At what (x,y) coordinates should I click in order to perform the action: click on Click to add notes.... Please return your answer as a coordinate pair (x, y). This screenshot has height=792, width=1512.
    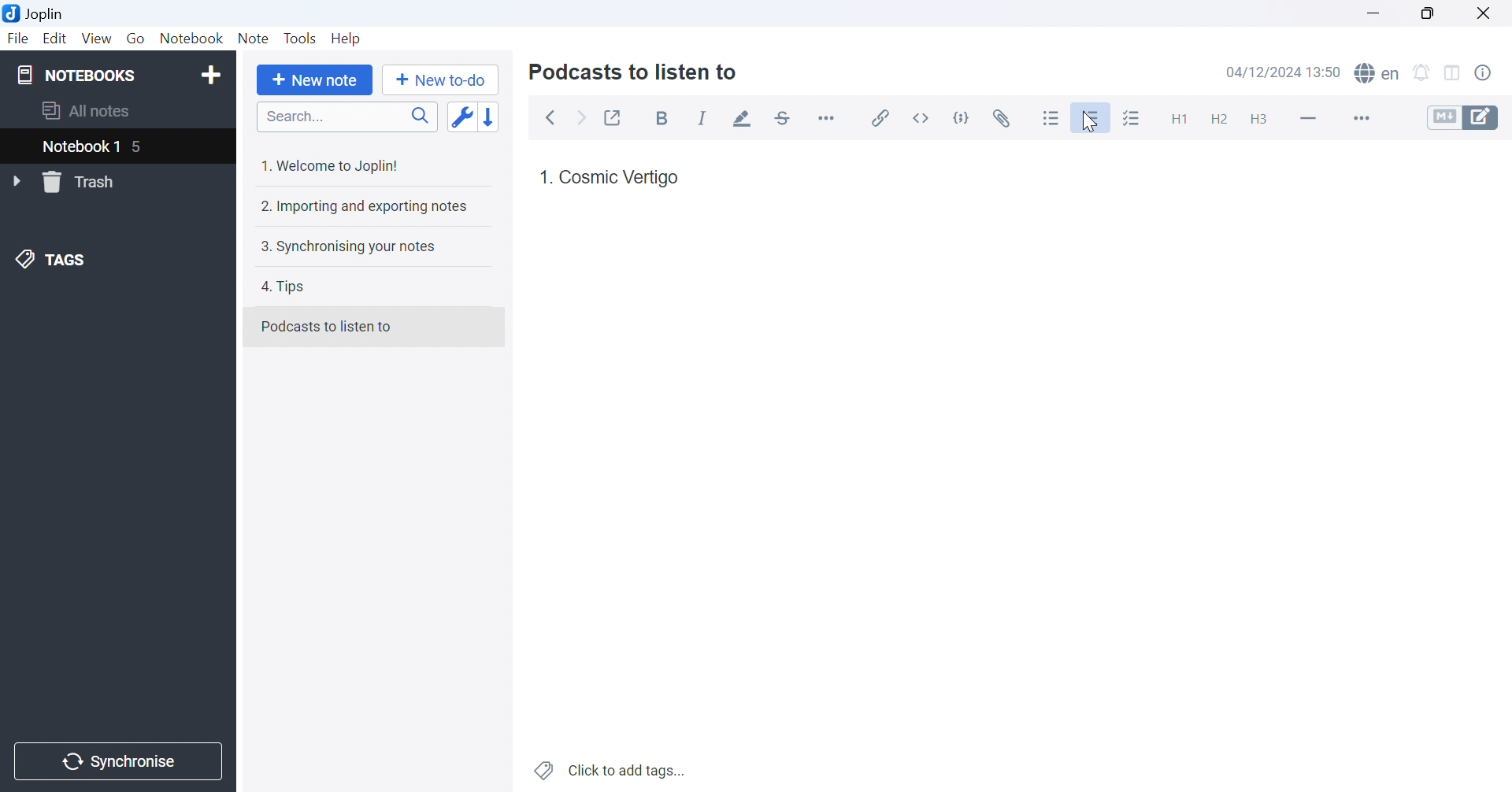
    Looking at the image, I should click on (612, 768).